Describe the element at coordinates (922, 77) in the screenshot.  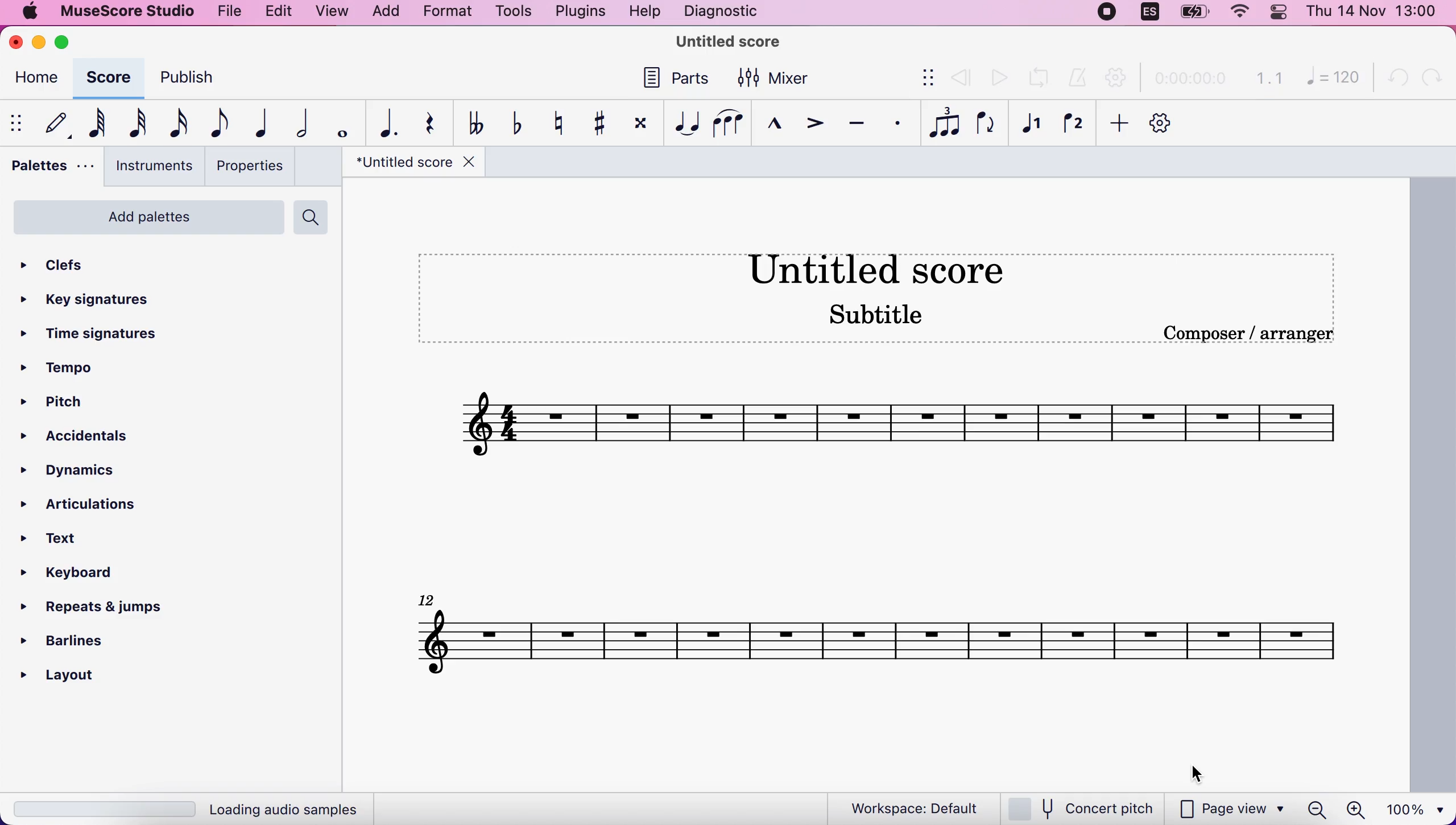
I see `show/hide` at that location.